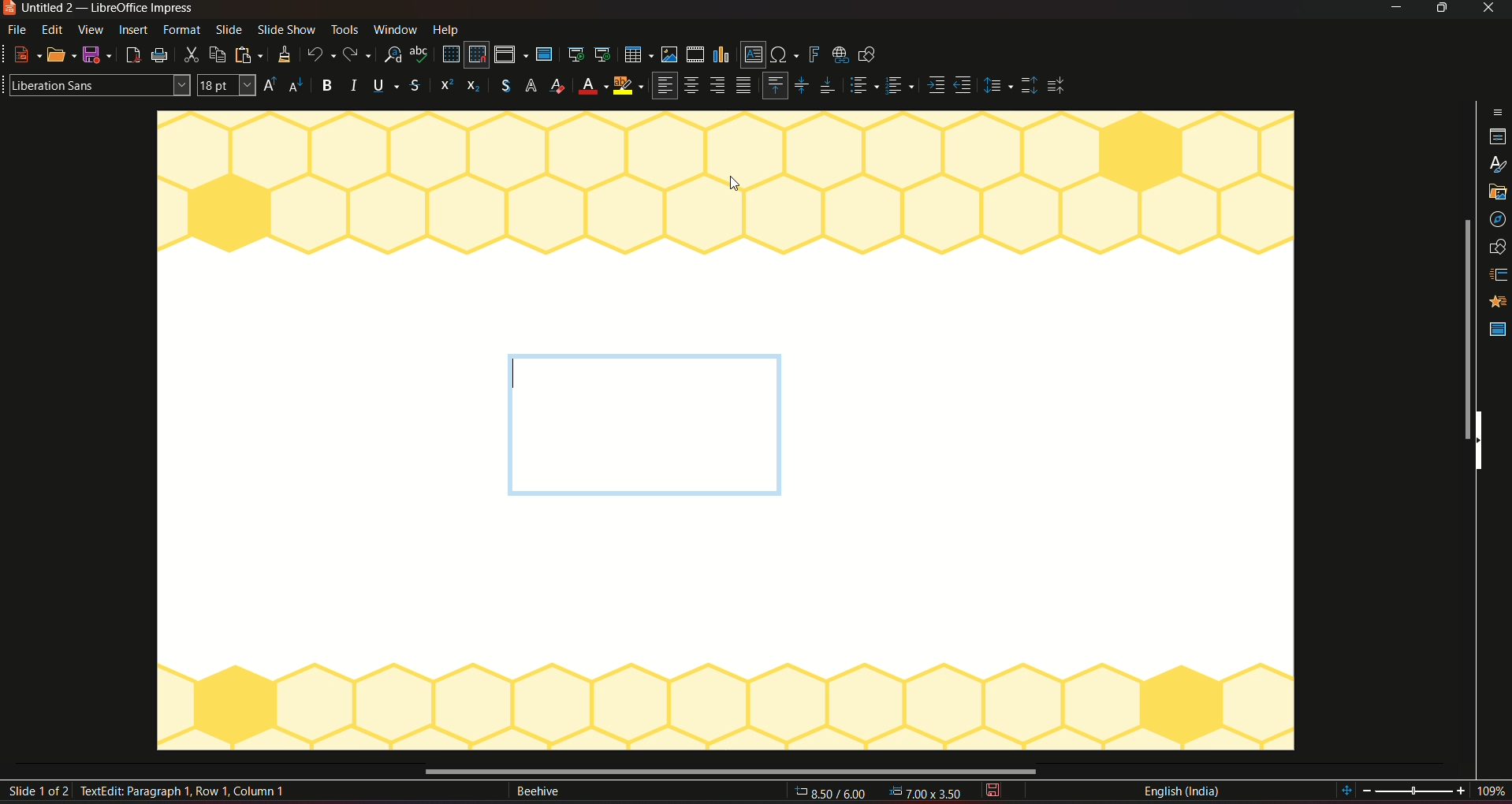  Describe the element at coordinates (723, 54) in the screenshot. I see `insert chart` at that location.